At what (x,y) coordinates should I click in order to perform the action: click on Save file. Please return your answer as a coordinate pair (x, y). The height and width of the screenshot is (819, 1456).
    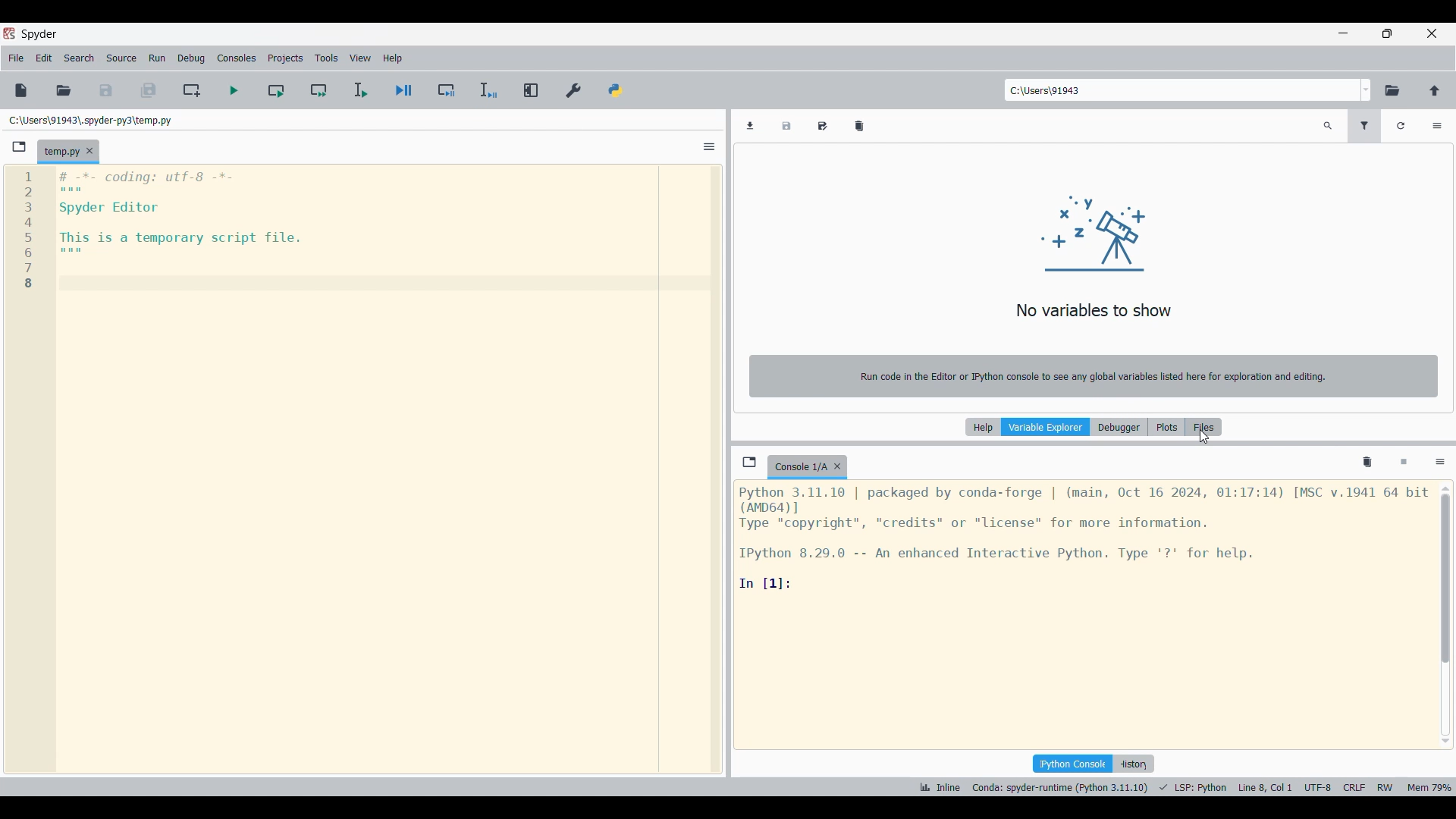
    Looking at the image, I should click on (106, 91).